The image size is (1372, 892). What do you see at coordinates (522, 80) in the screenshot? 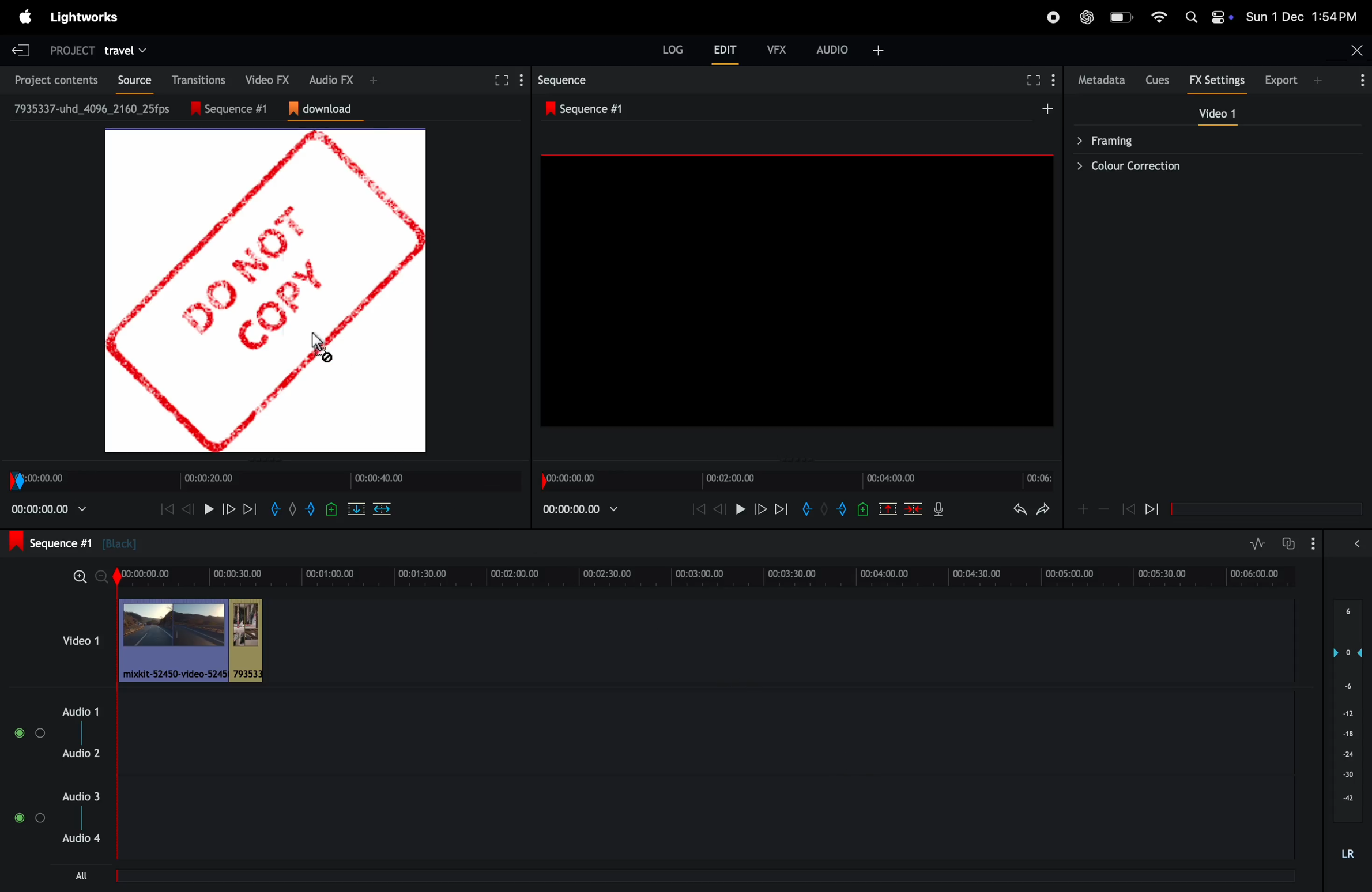
I see `Settings` at bounding box center [522, 80].